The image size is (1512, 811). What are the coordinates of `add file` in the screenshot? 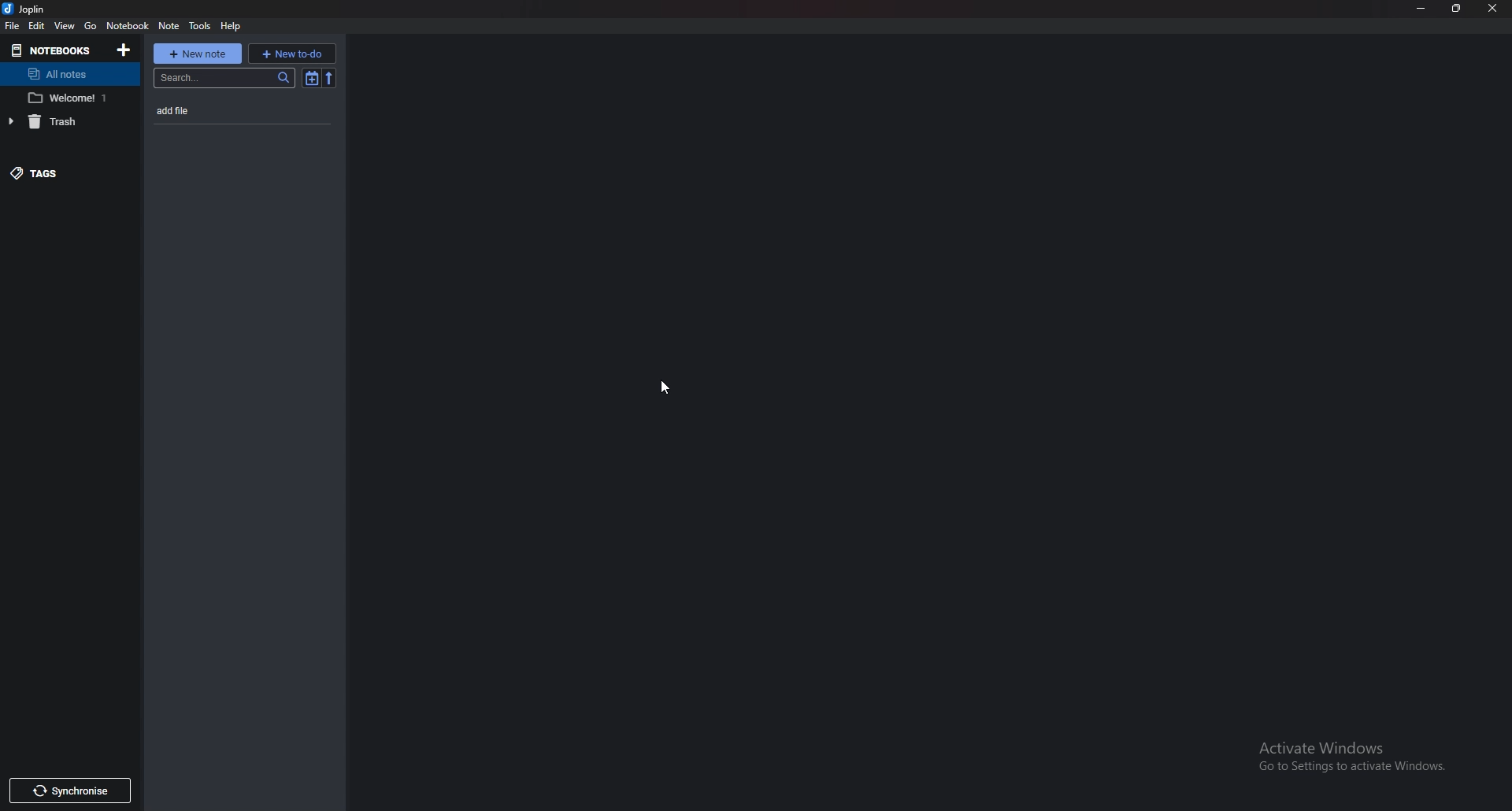 It's located at (220, 109).